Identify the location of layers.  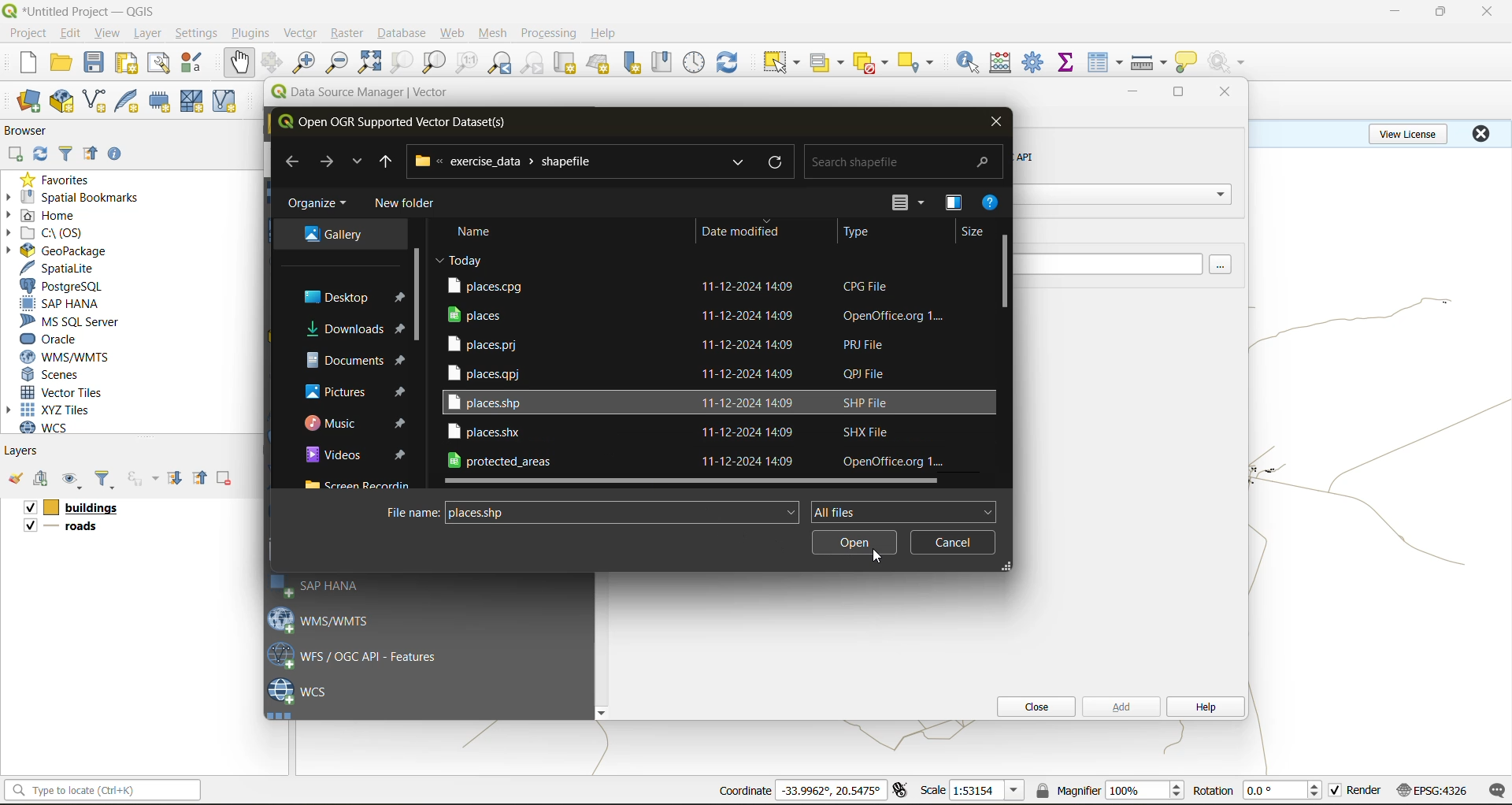
(73, 529).